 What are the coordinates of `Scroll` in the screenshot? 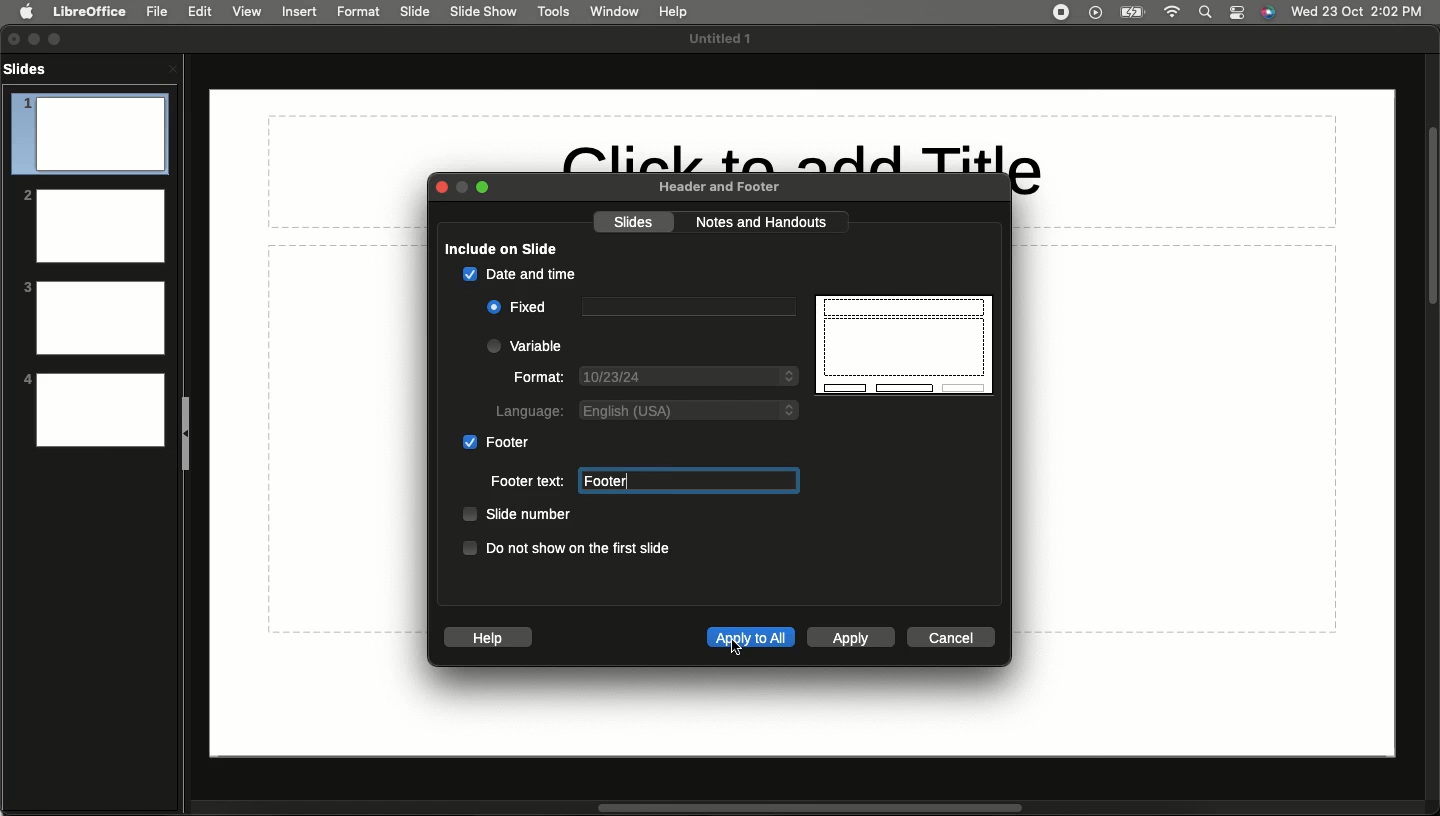 It's located at (1431, 217).